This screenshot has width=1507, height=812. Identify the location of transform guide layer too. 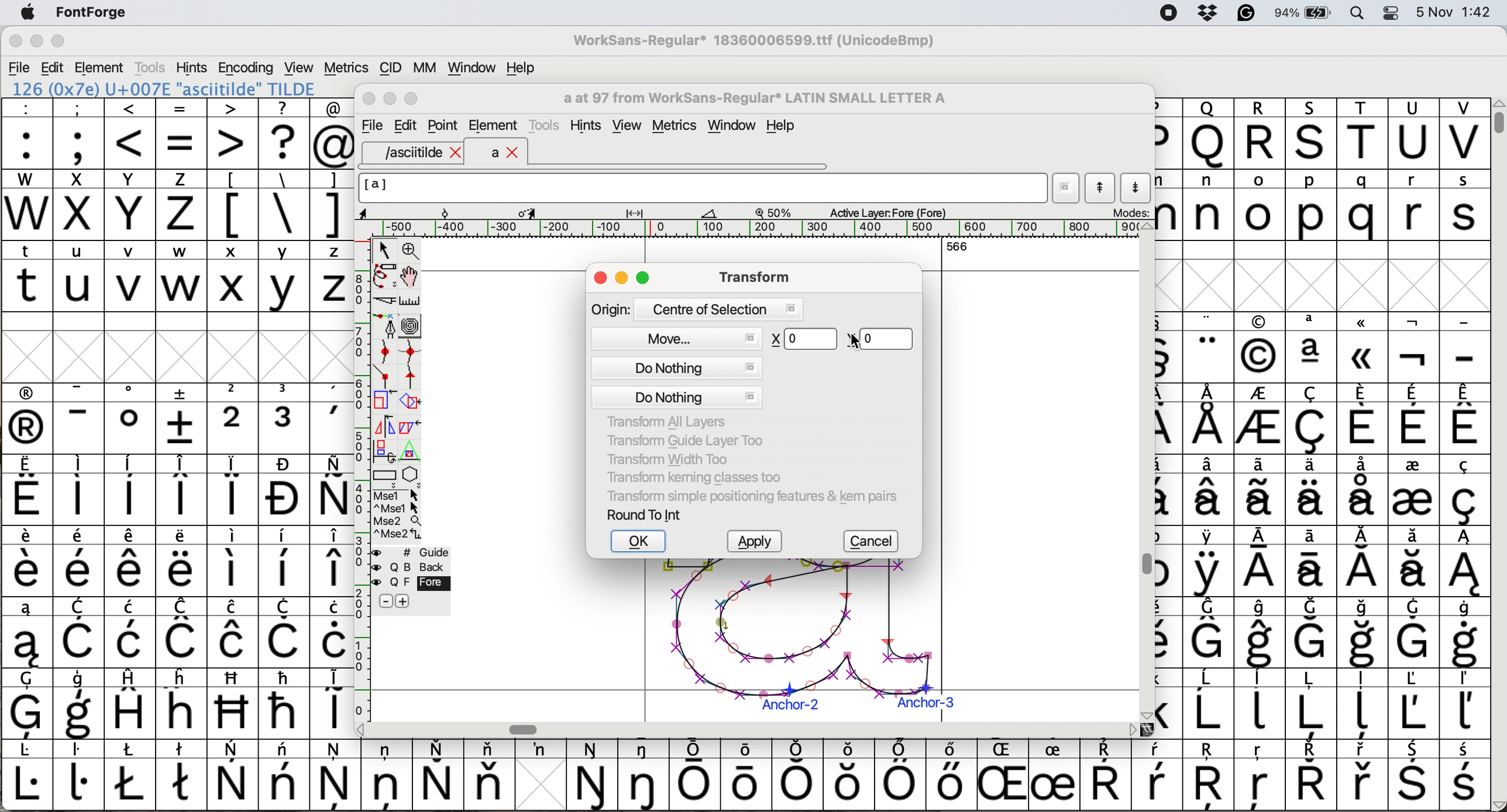
(680, 439).